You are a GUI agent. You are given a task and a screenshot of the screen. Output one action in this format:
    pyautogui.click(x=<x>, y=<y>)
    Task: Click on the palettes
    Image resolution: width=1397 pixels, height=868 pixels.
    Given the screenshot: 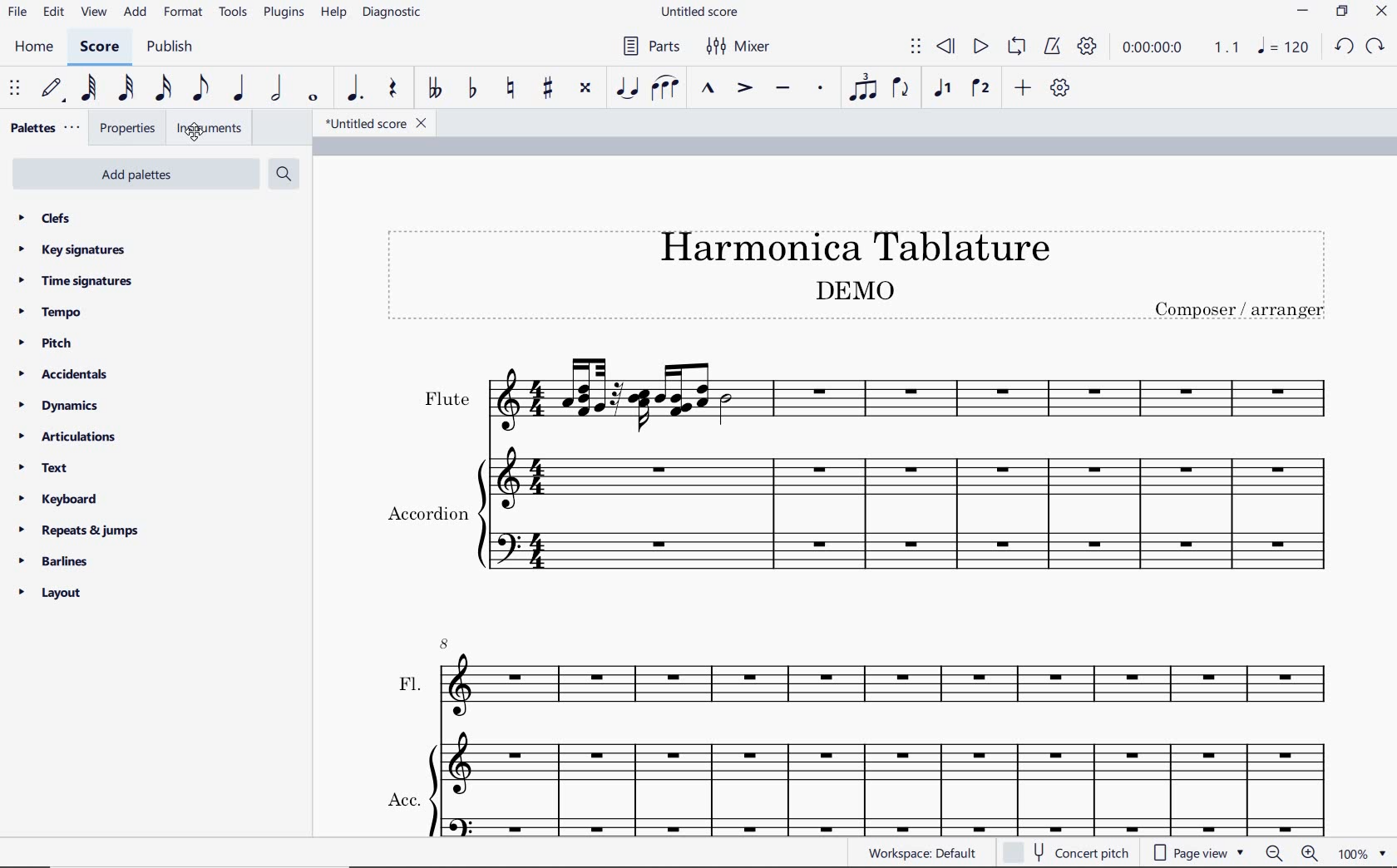 What is the action you would take?
    pyautogui.click(x=43, y=128)
    